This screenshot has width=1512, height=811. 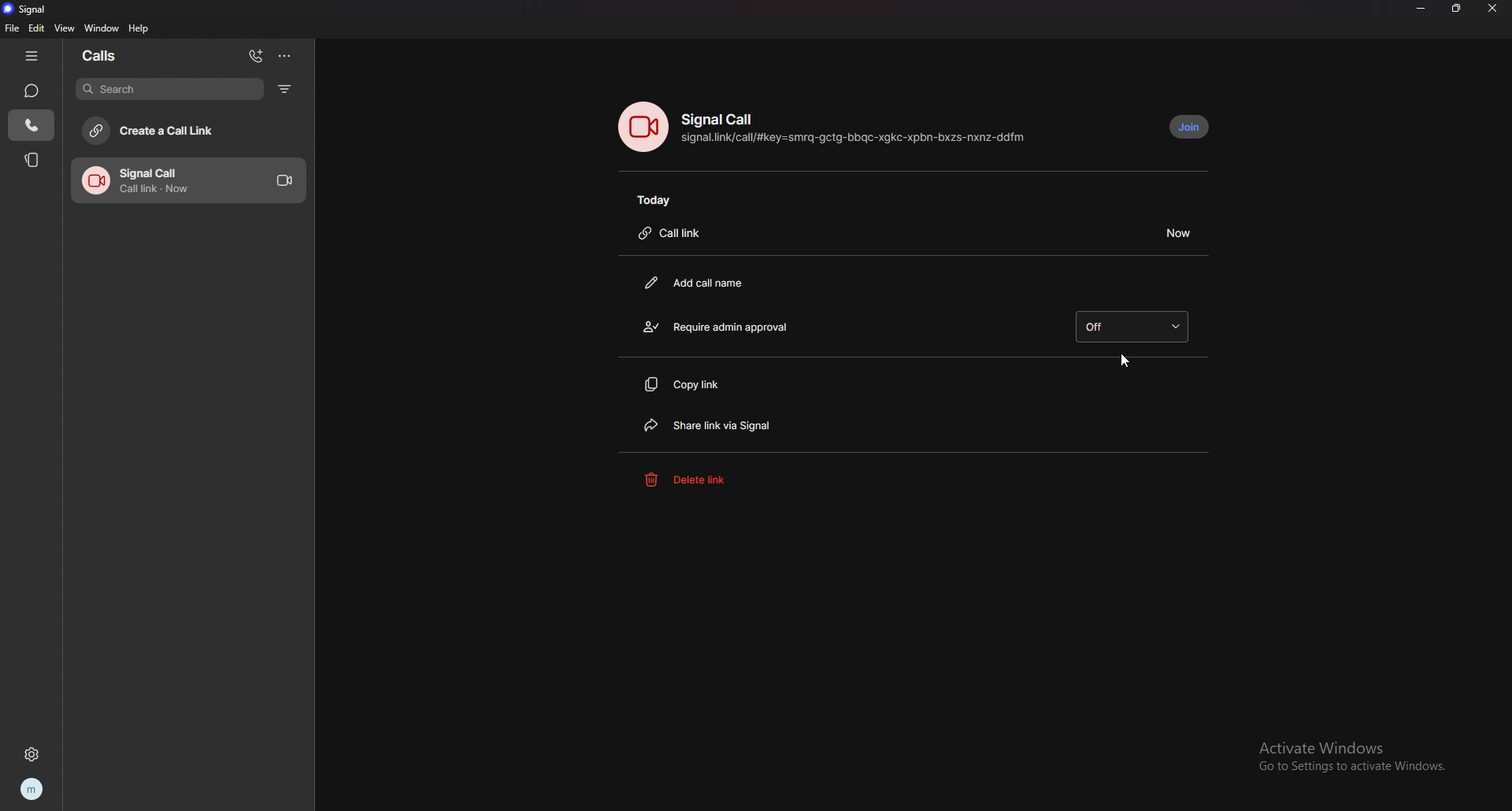 What do you see at coordinates (1126, 361) in the screenshot?
I see `cursor` at bounding box center [1126, 361].